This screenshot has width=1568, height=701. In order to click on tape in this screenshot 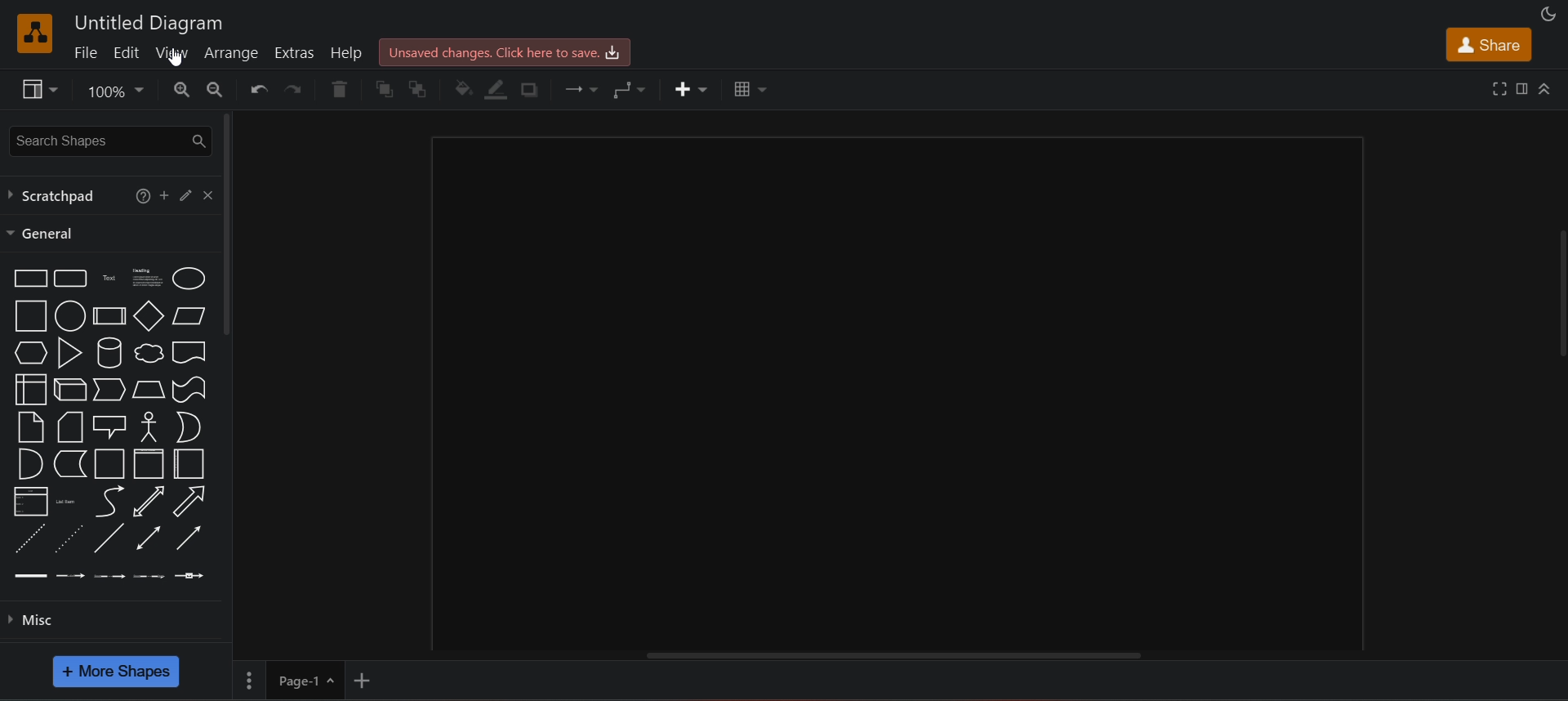, I will do `click(189, 389)`.